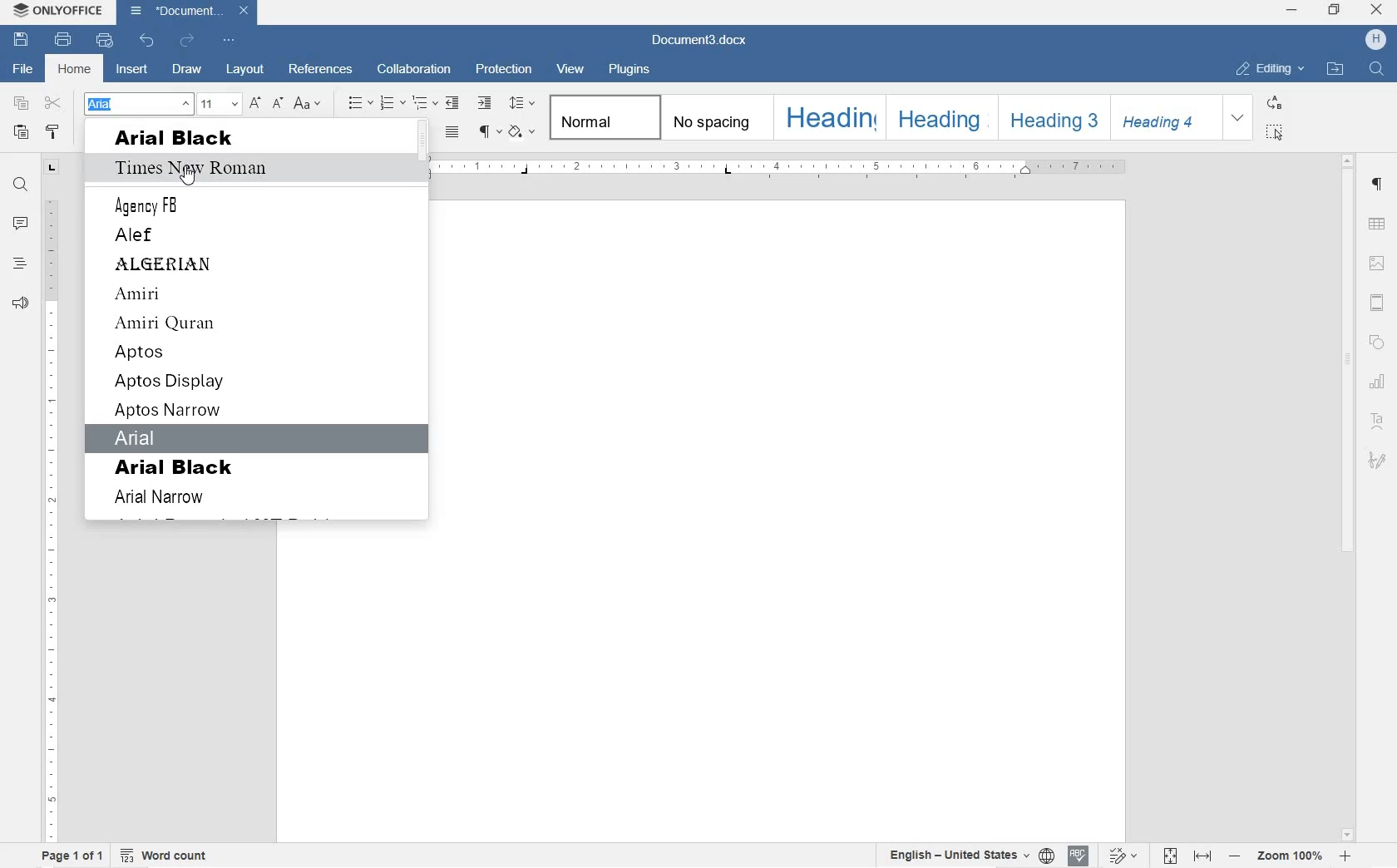 Image resolution: width=1397 pixels, height=868 pixels. What do you see at coordinates (452, 131) in the screenshot?
I see `JUSTIFIED` at bounding box center [452, 131].